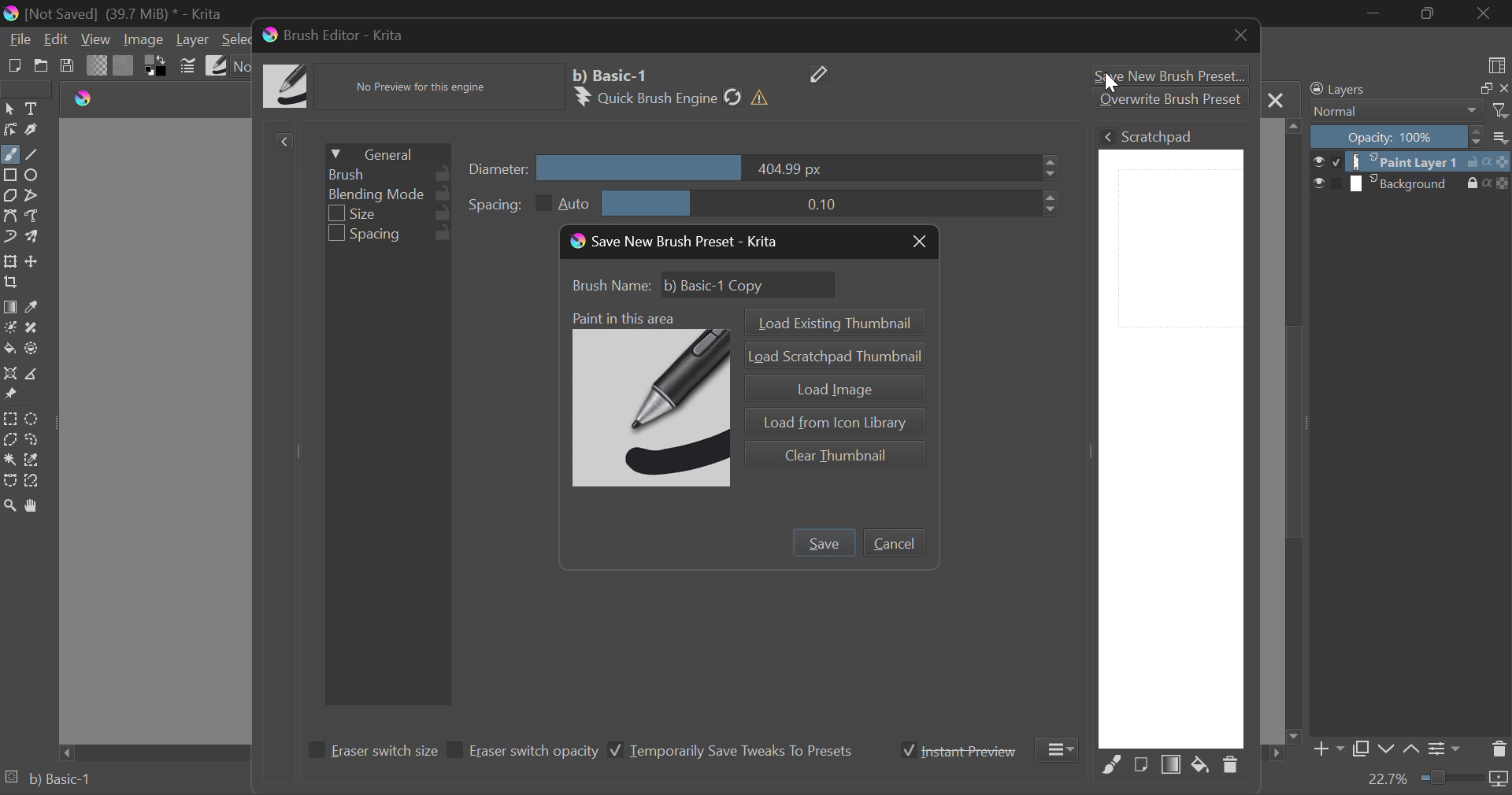 This screenshot has width=1512, height=795. Describe the element at coordinates (1169, 98) in the screenshot. I see `Overwrite Brush Preset` at that location.